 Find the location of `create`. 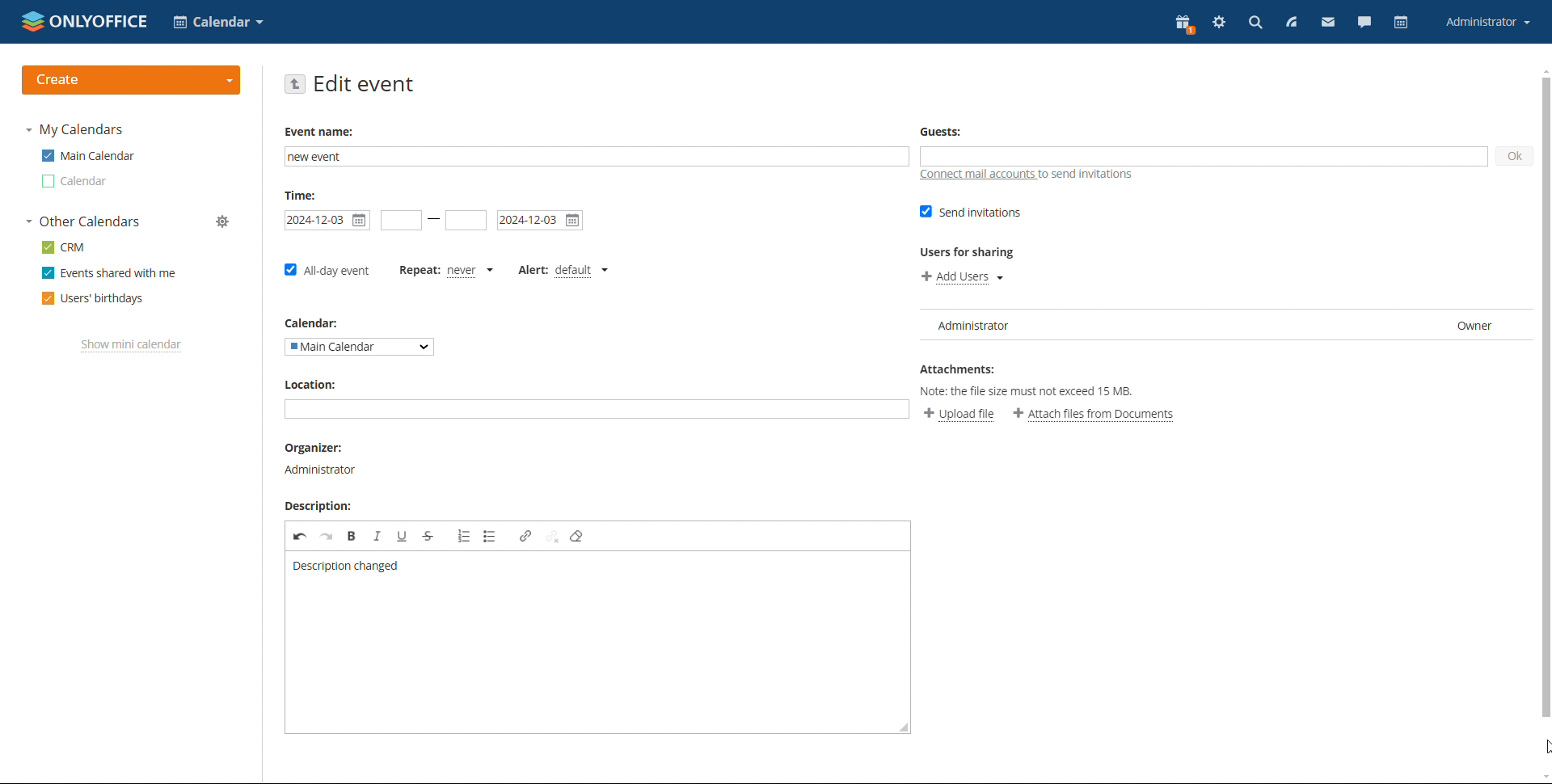

create is located at coordinates (132, 80).